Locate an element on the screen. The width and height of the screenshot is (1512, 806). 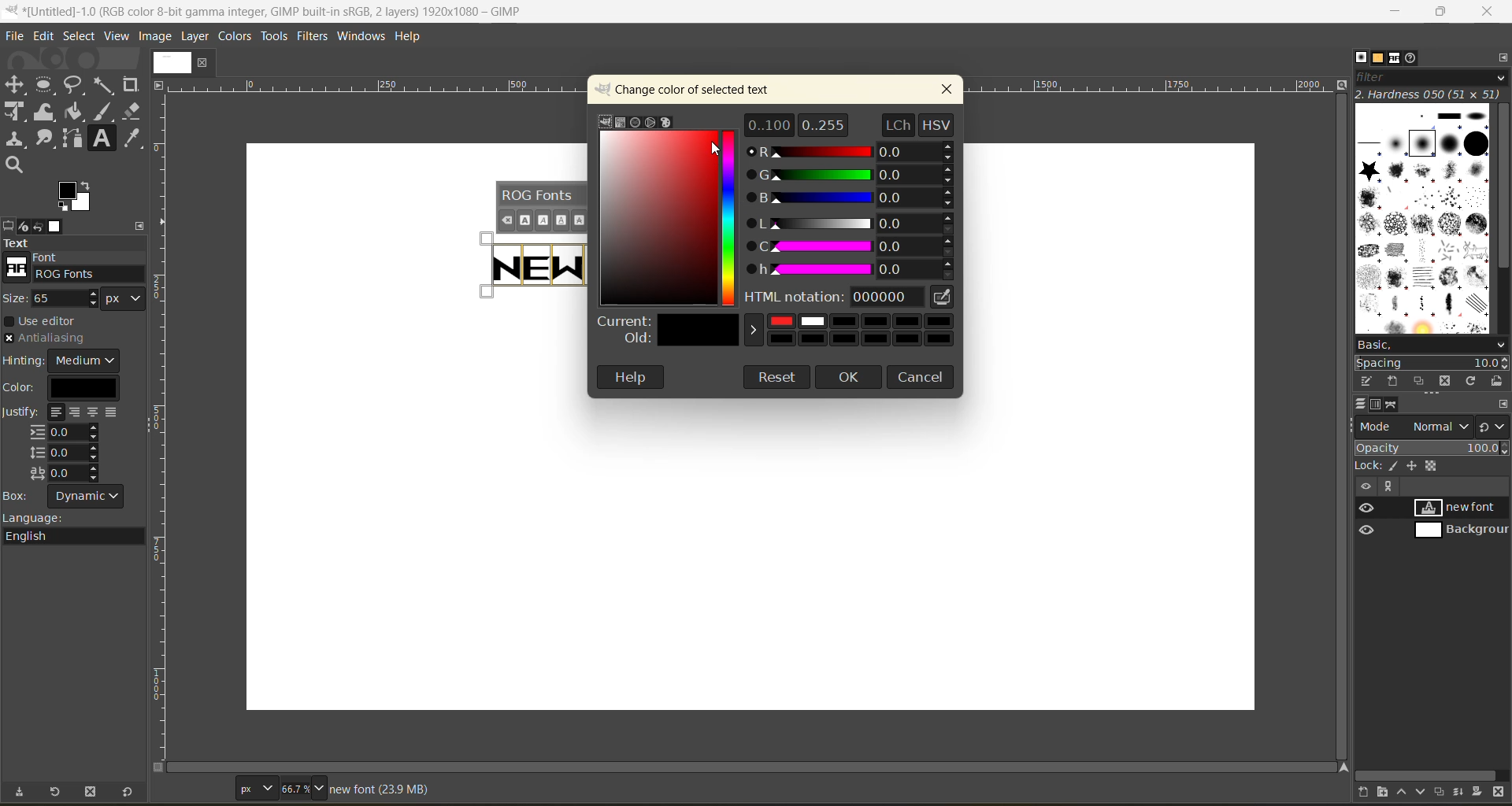
brushes is located at coordinates (1361, 57).